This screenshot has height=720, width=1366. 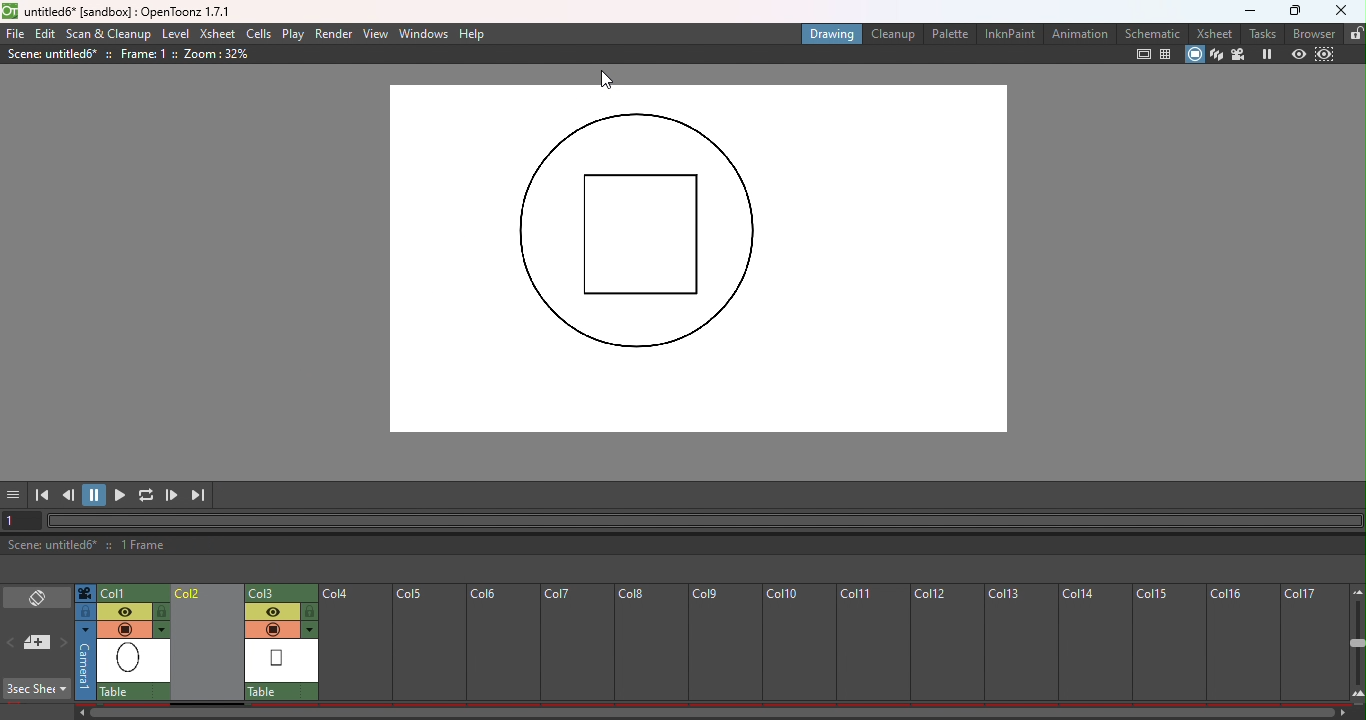 What do you see at coordinates (122, 495) in the screenshot?
I see `Play` at bounding box center [122, 495].